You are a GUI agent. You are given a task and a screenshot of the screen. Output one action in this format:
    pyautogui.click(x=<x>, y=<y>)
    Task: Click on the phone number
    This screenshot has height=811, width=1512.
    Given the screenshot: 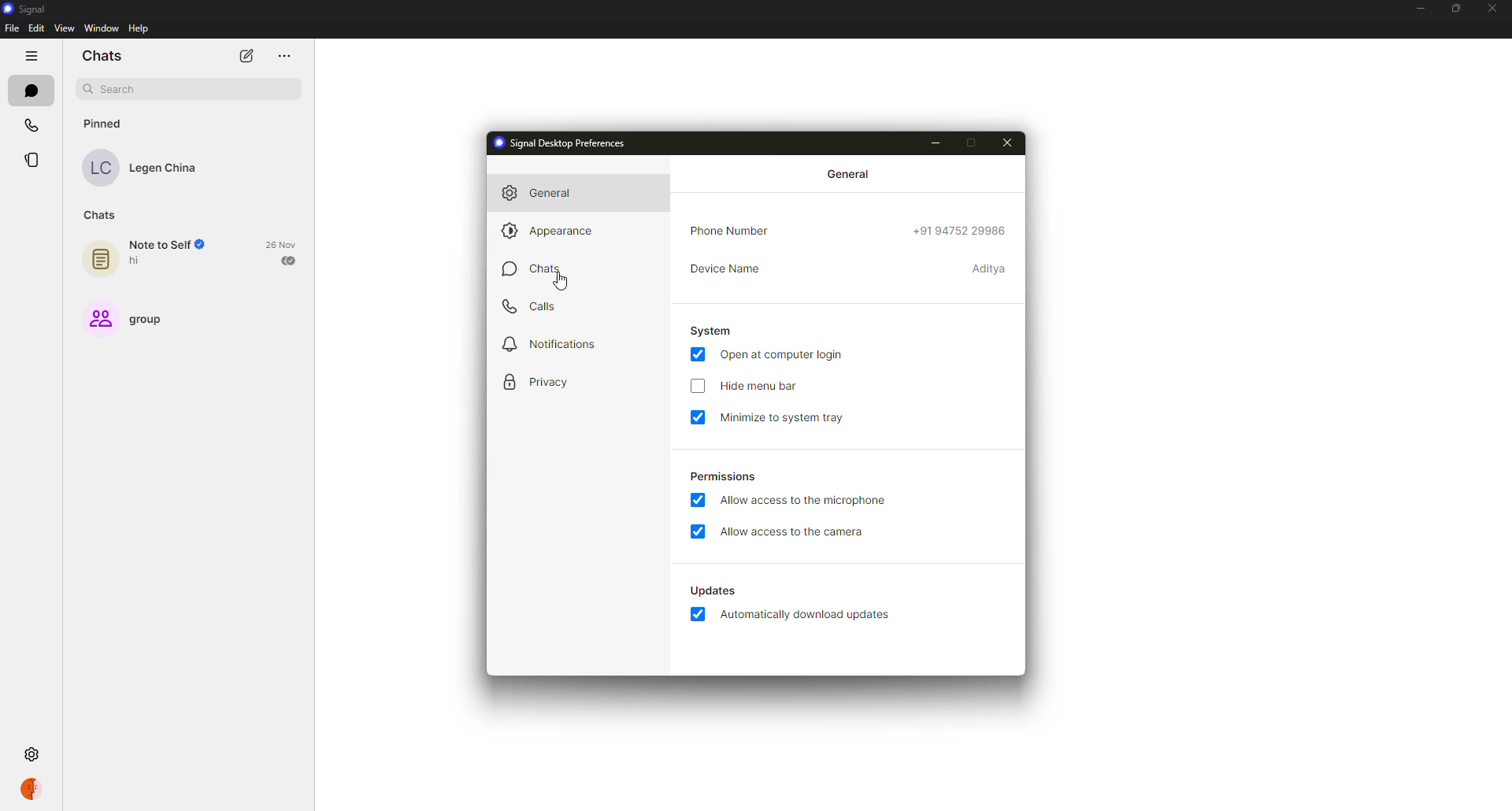 What is the action you would take?
    pyautogui.click(x=960, y=231)
    